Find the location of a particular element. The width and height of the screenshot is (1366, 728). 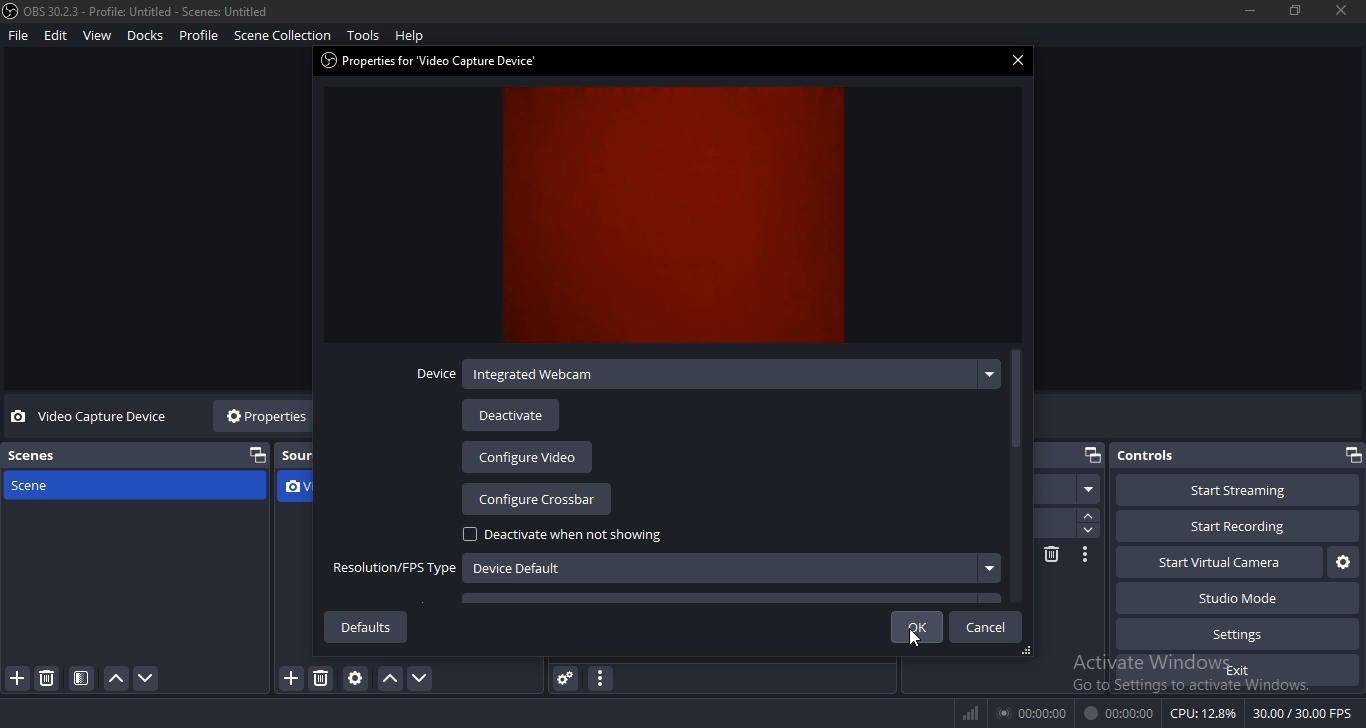

image is located at coordinates (678, 218).